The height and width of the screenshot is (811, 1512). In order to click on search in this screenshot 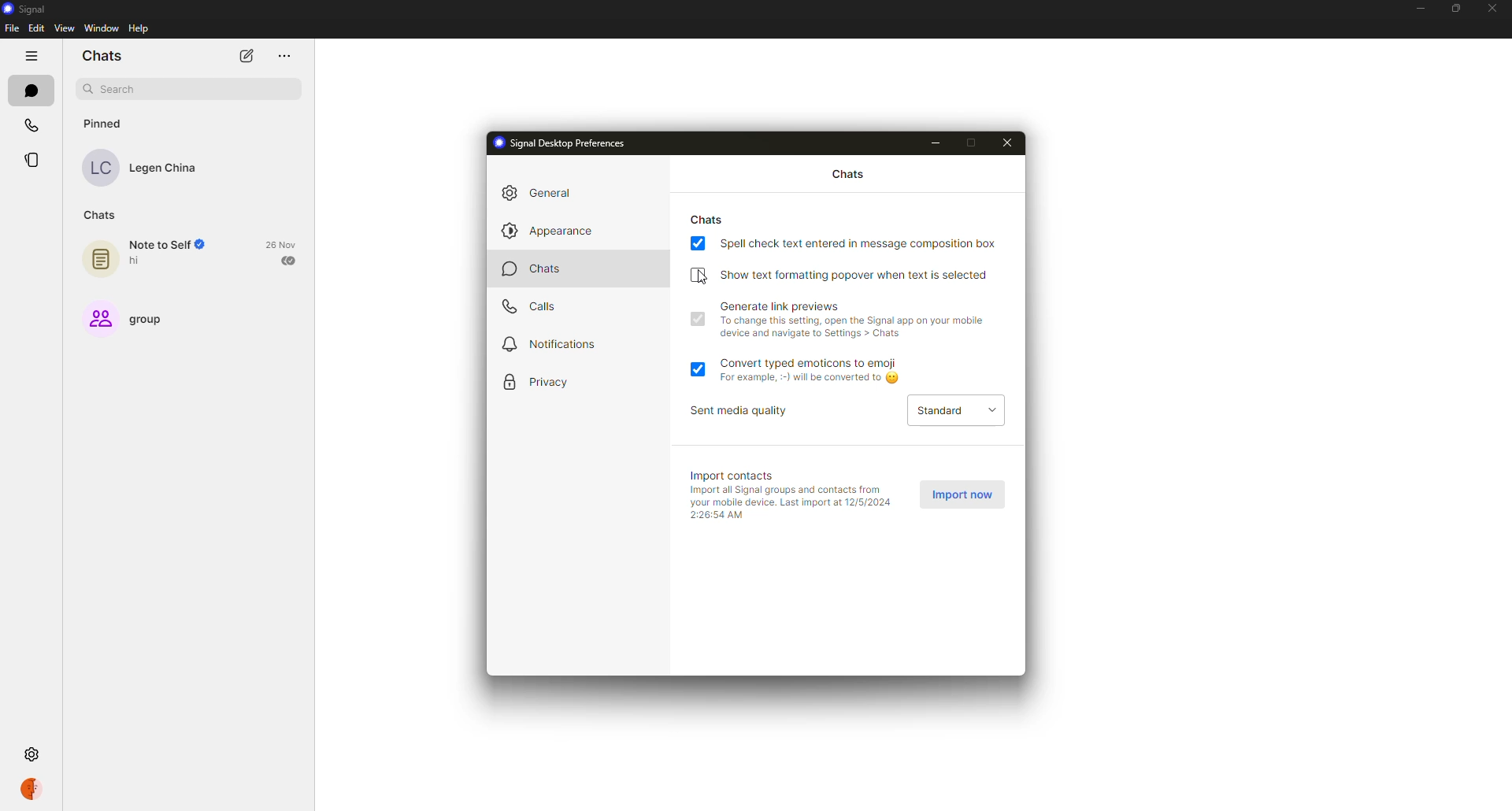, I will do `click(189, 91)`.